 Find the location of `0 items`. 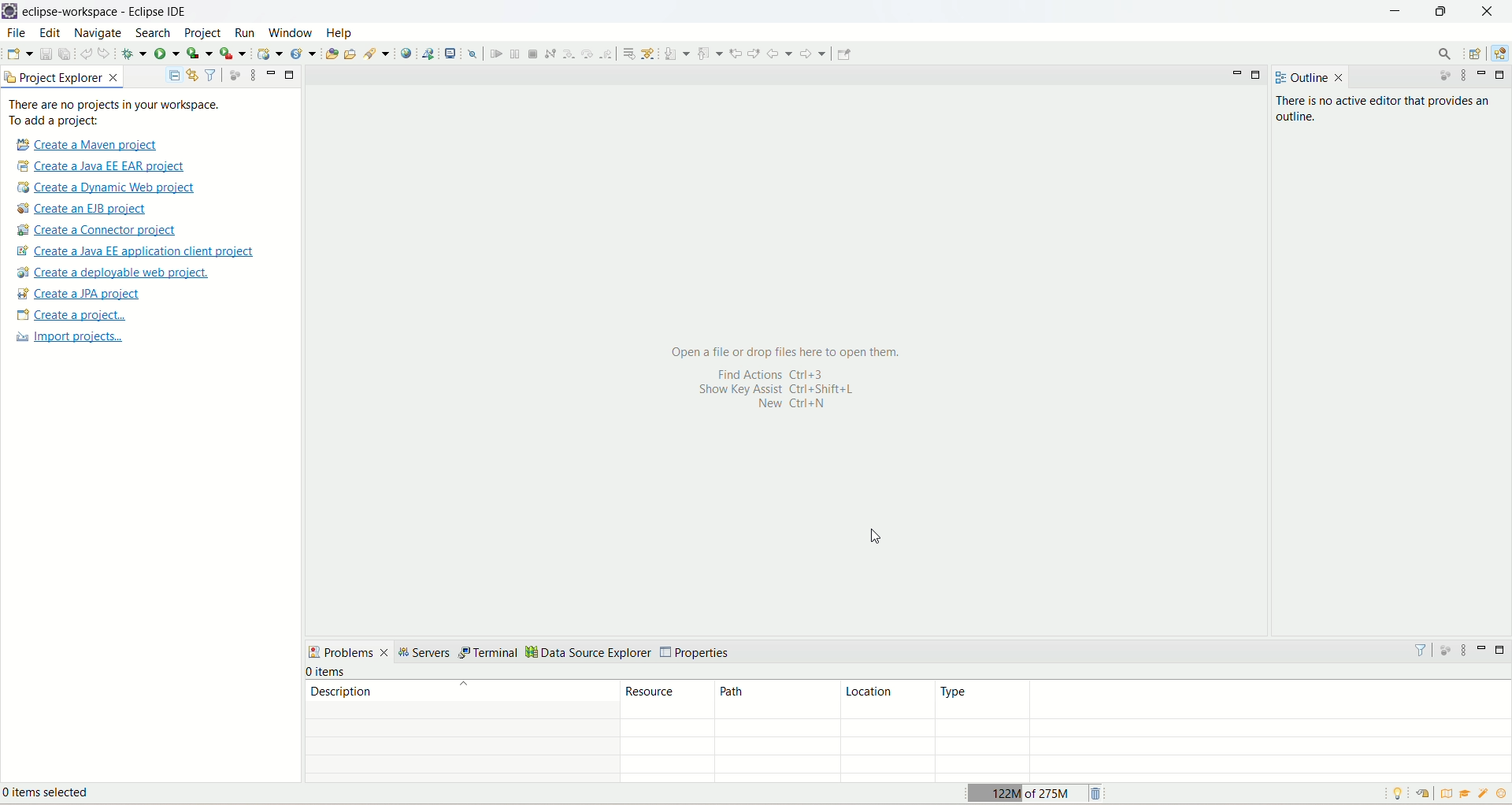

0 items is located at coordinates (328, 672).